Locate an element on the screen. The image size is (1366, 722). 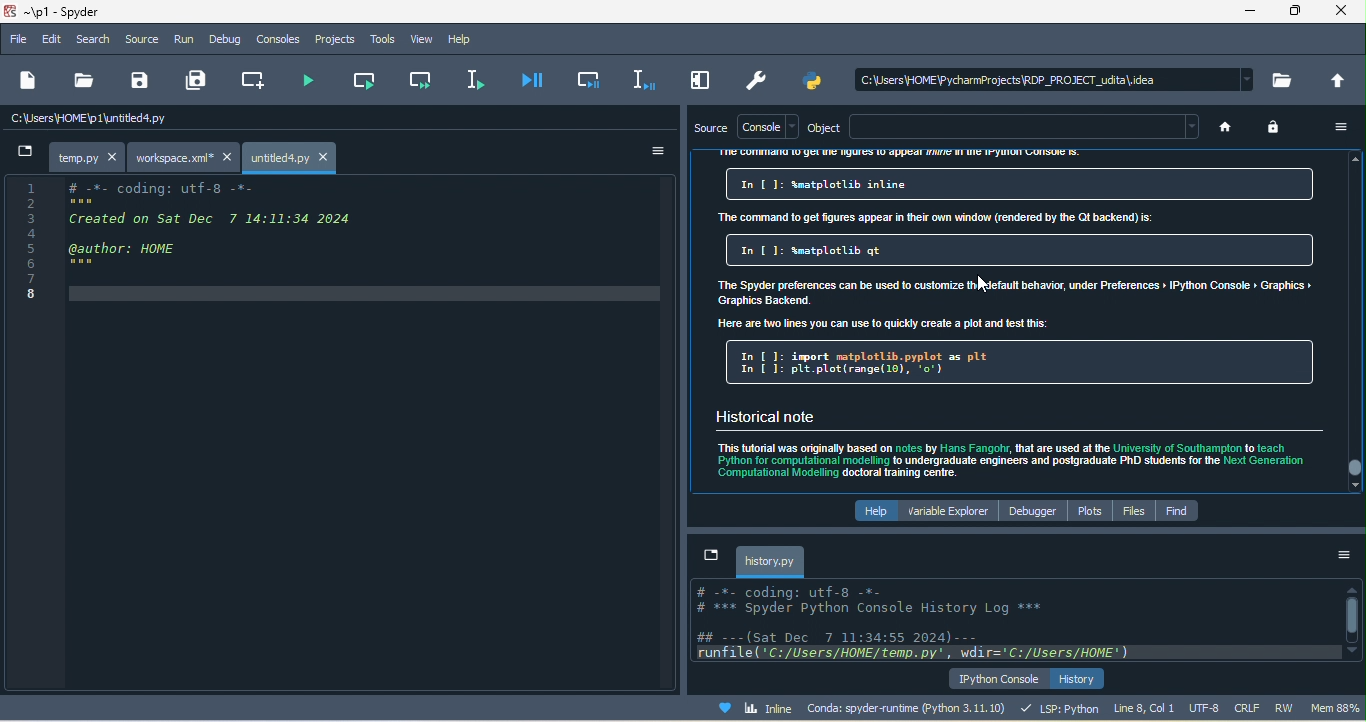
source is located at coordinates (709, 126).